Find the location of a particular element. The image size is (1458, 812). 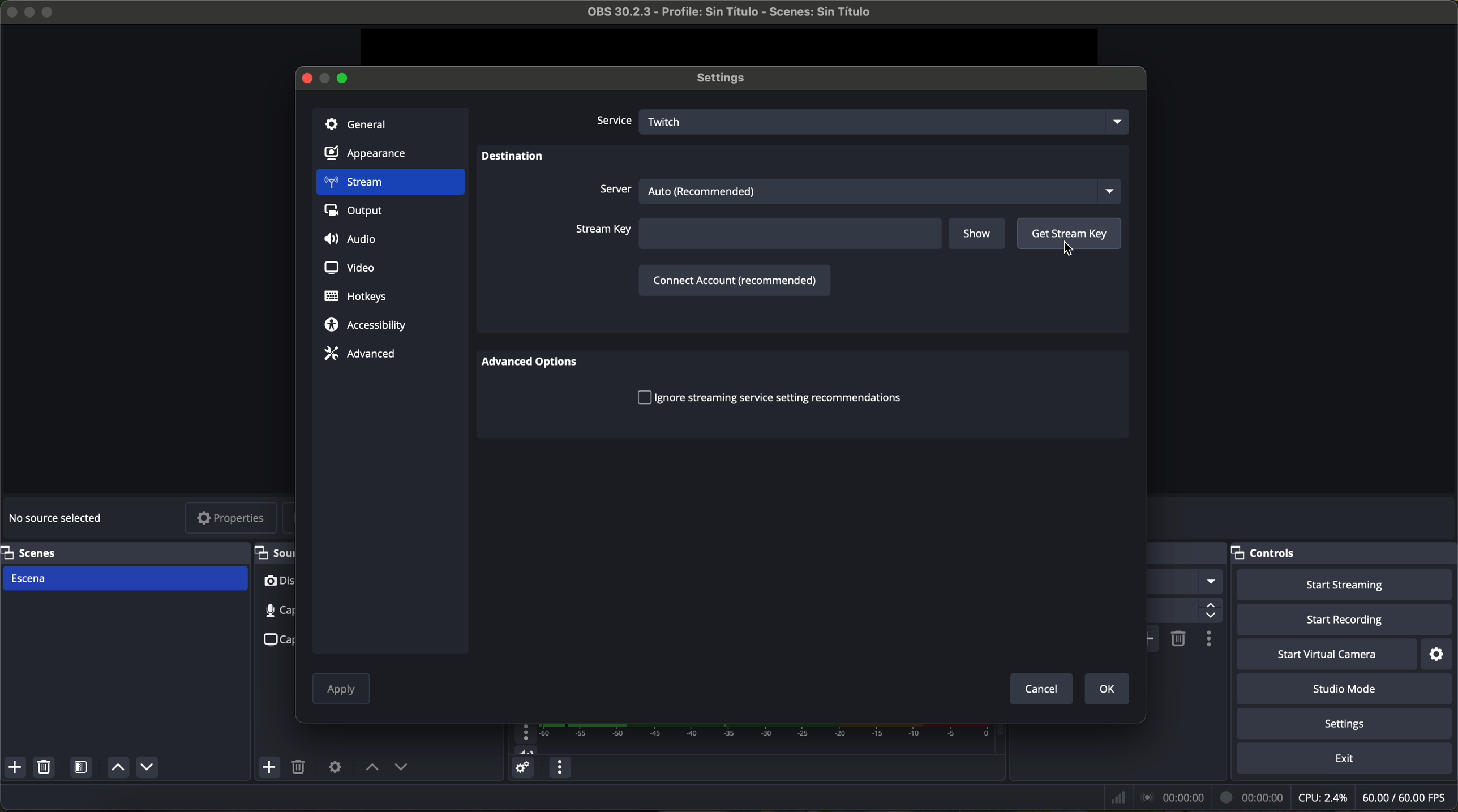

click on start streaming is located at coordinates (1345, 586).